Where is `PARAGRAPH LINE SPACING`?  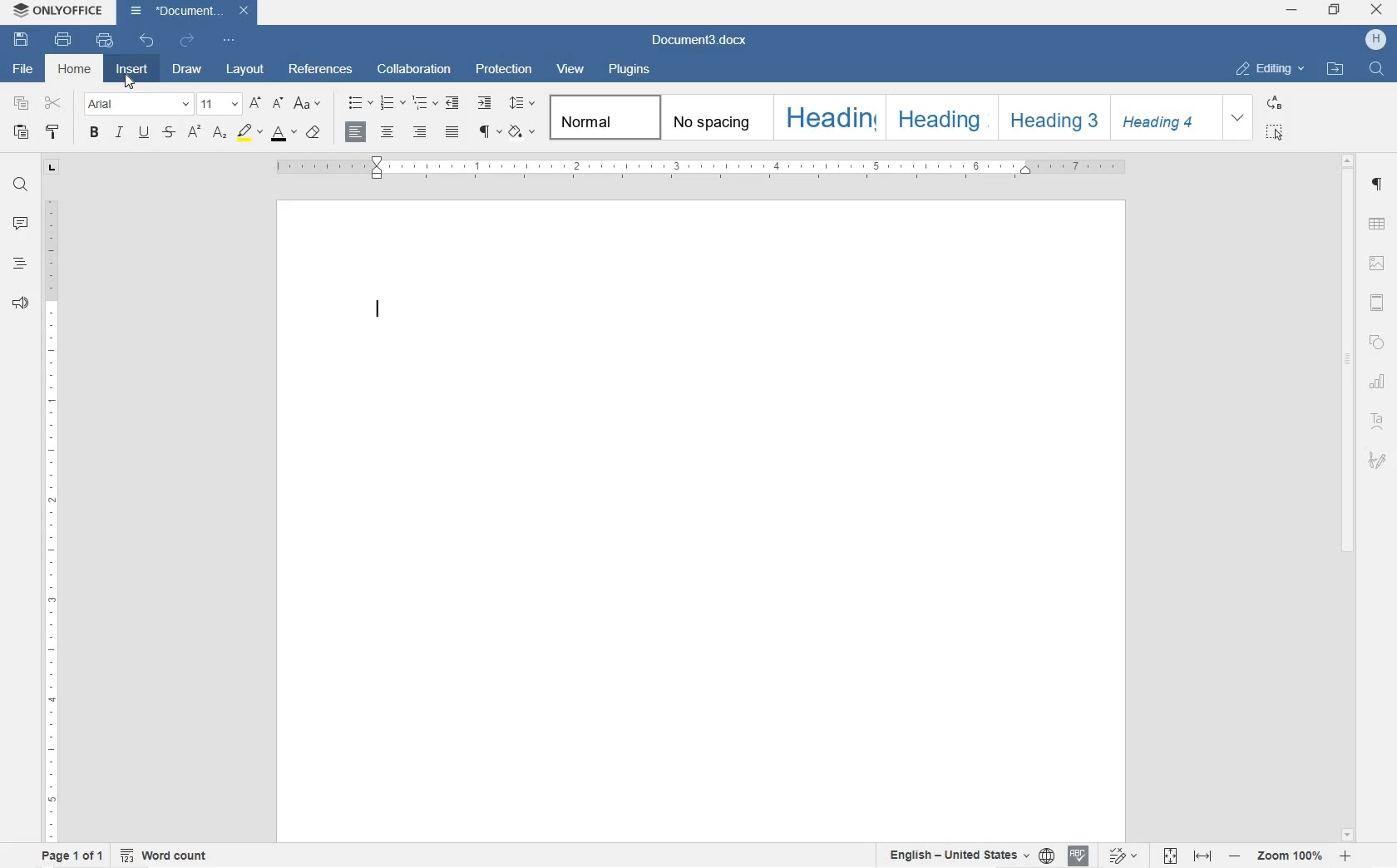 PARAGRAPH LINE SPACING is located at coordinates (522, 103).